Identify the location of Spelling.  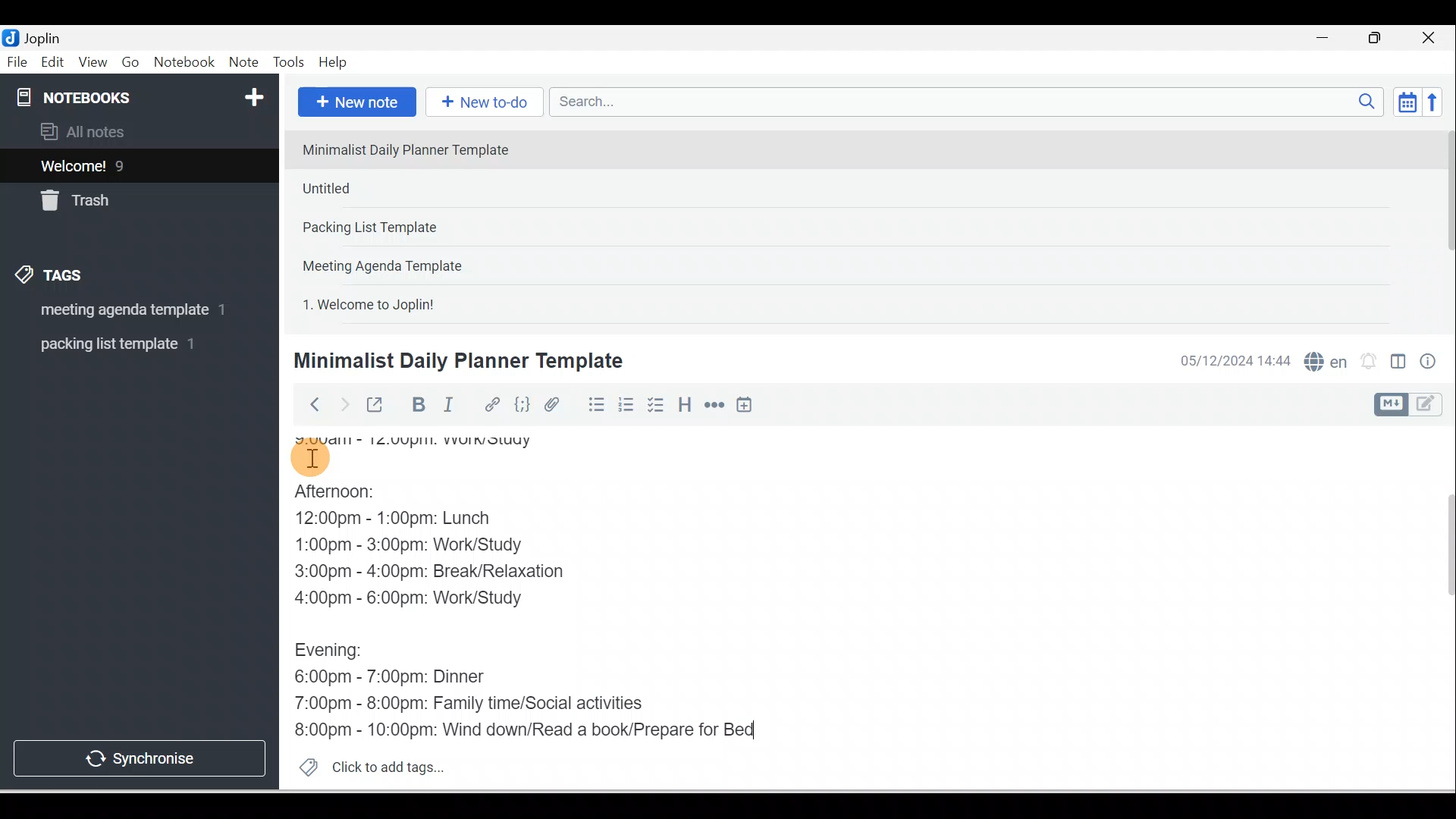
(1323, 359).